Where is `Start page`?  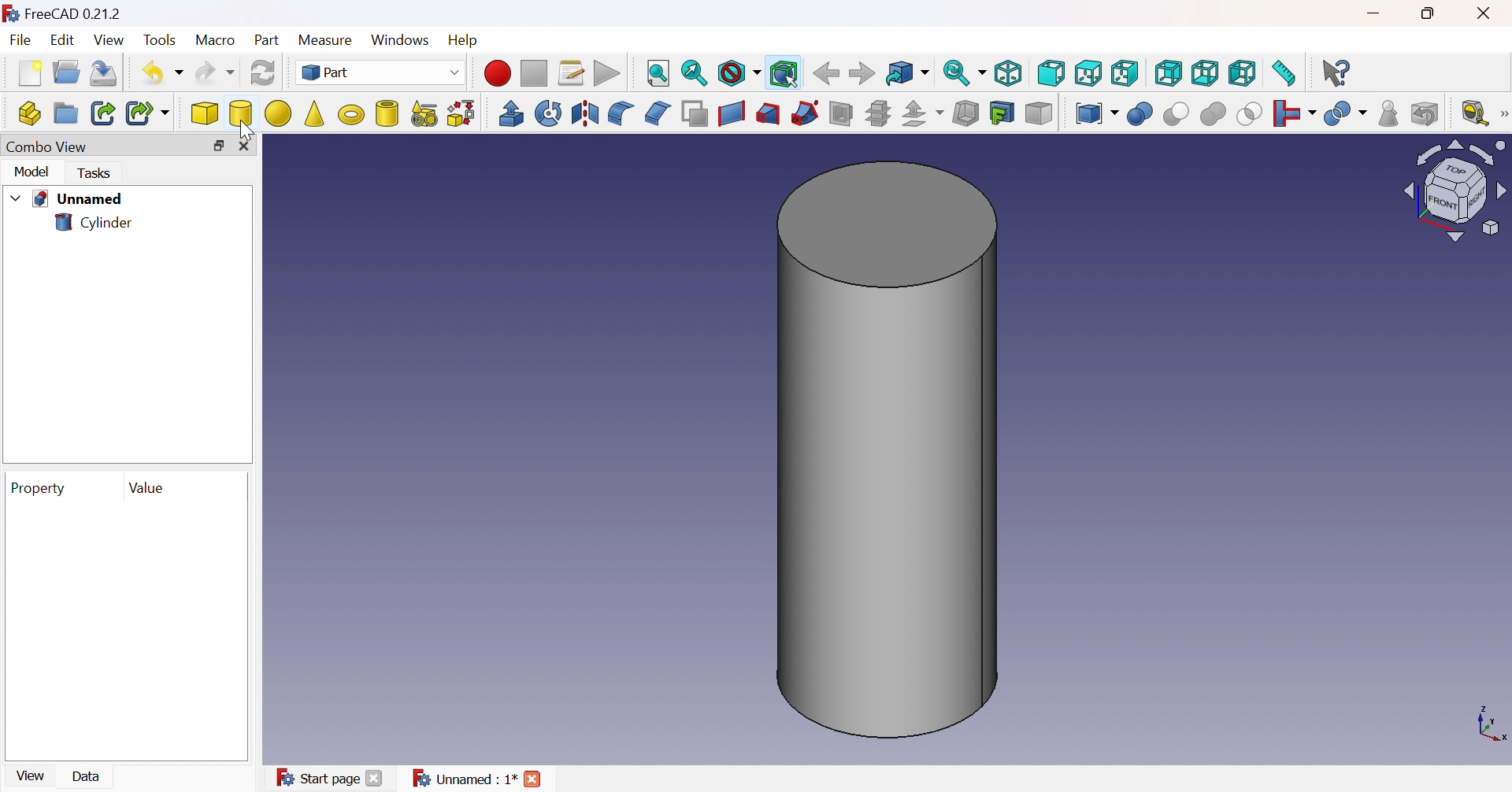 Start page is located at coordinates (333, 779).